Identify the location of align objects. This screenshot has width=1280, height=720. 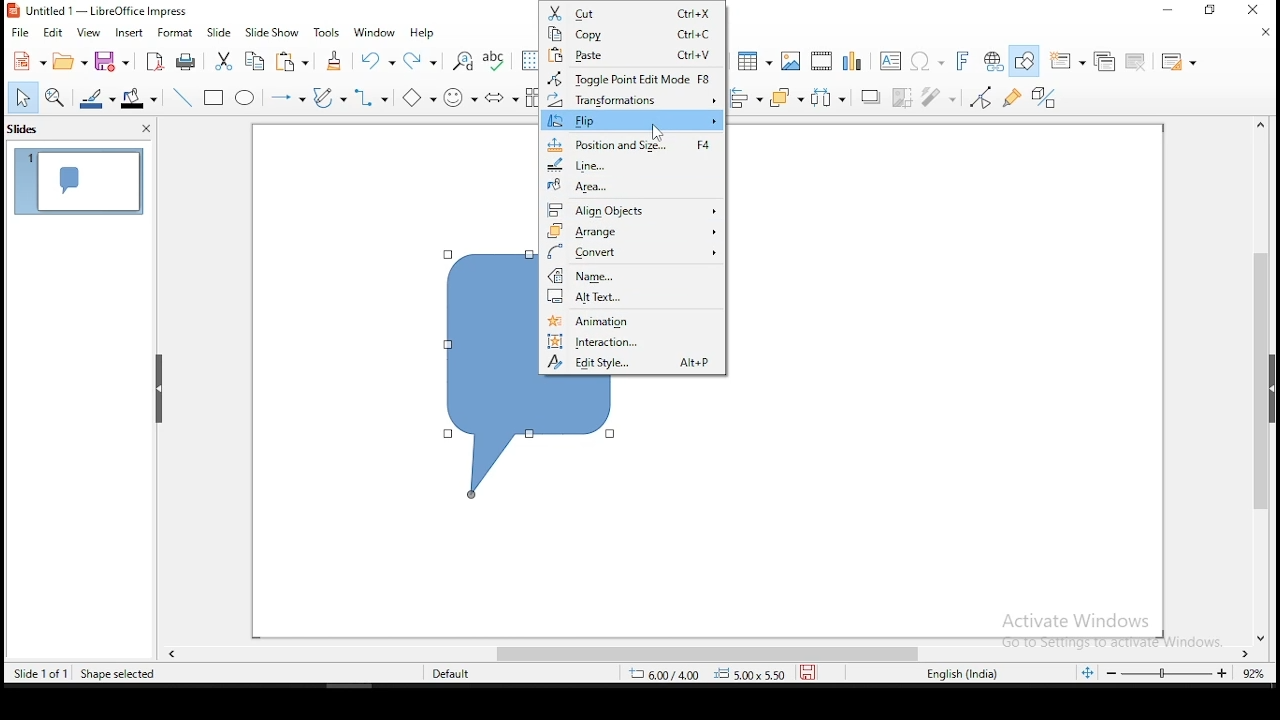
(632, 209).